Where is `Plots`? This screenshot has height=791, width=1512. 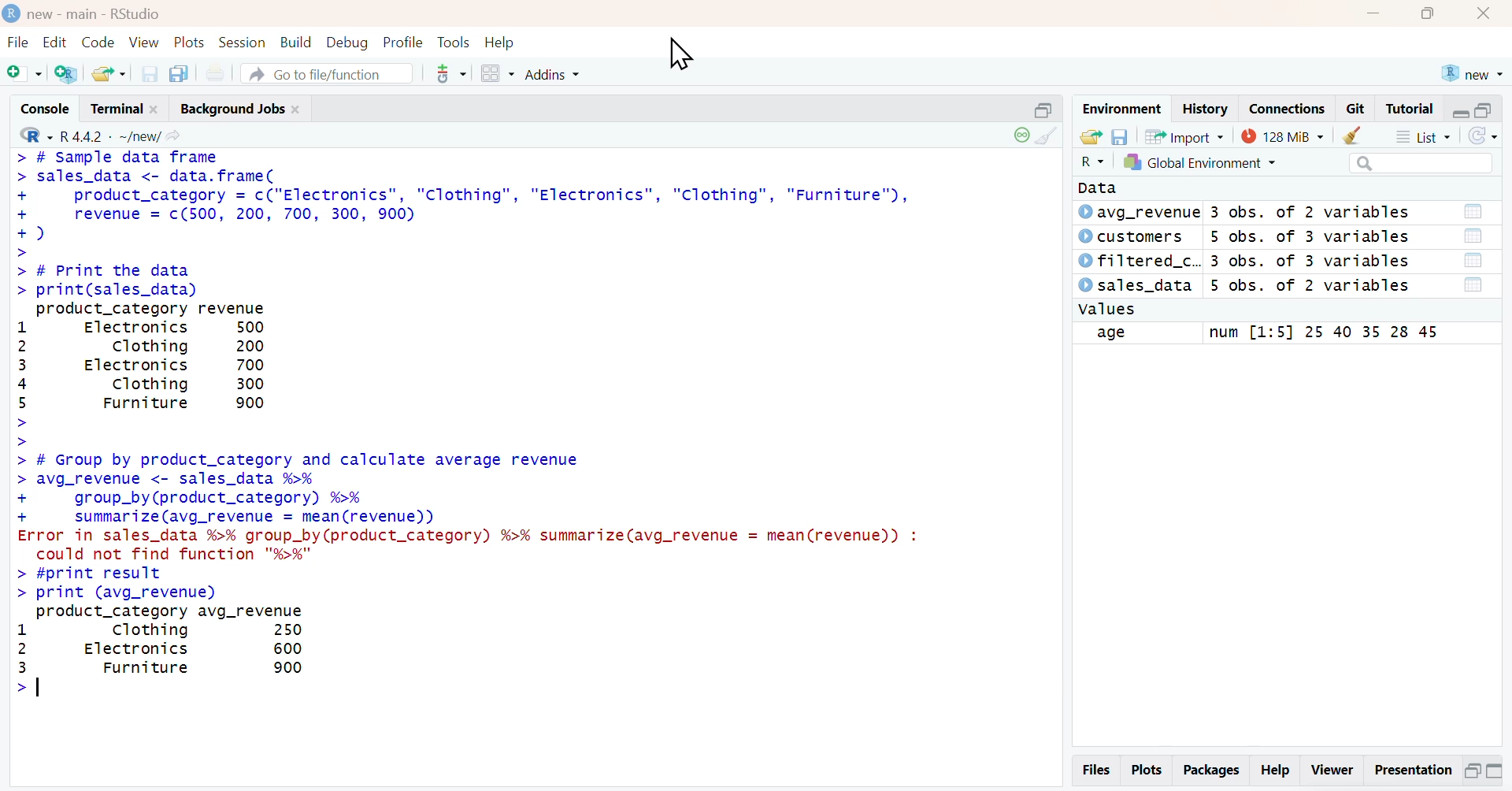
Plots is located at coordinates (1147, 771).